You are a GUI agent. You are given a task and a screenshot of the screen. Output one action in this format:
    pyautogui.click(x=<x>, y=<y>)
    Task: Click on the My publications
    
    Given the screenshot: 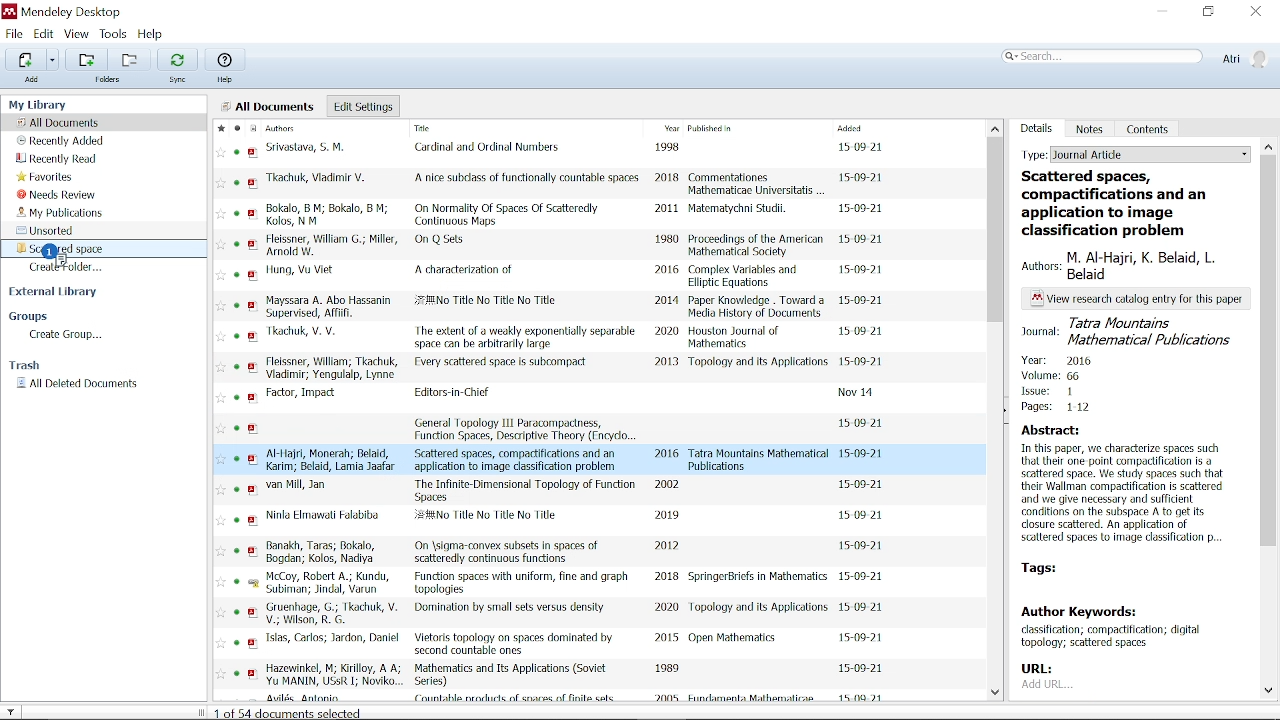 What is the action you would take?
    pyautogui.click(x=59, y=212)
    